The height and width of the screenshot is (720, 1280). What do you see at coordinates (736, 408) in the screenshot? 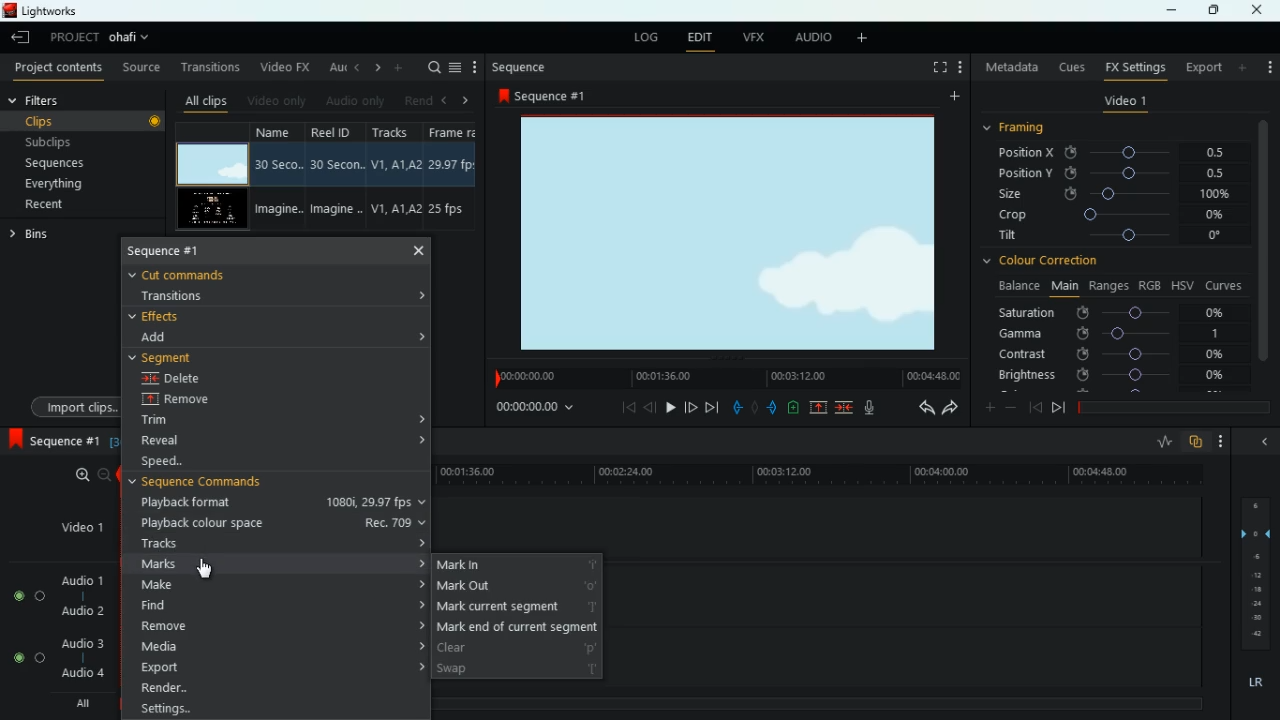
I see `pull` at bounding box center [736, 408].